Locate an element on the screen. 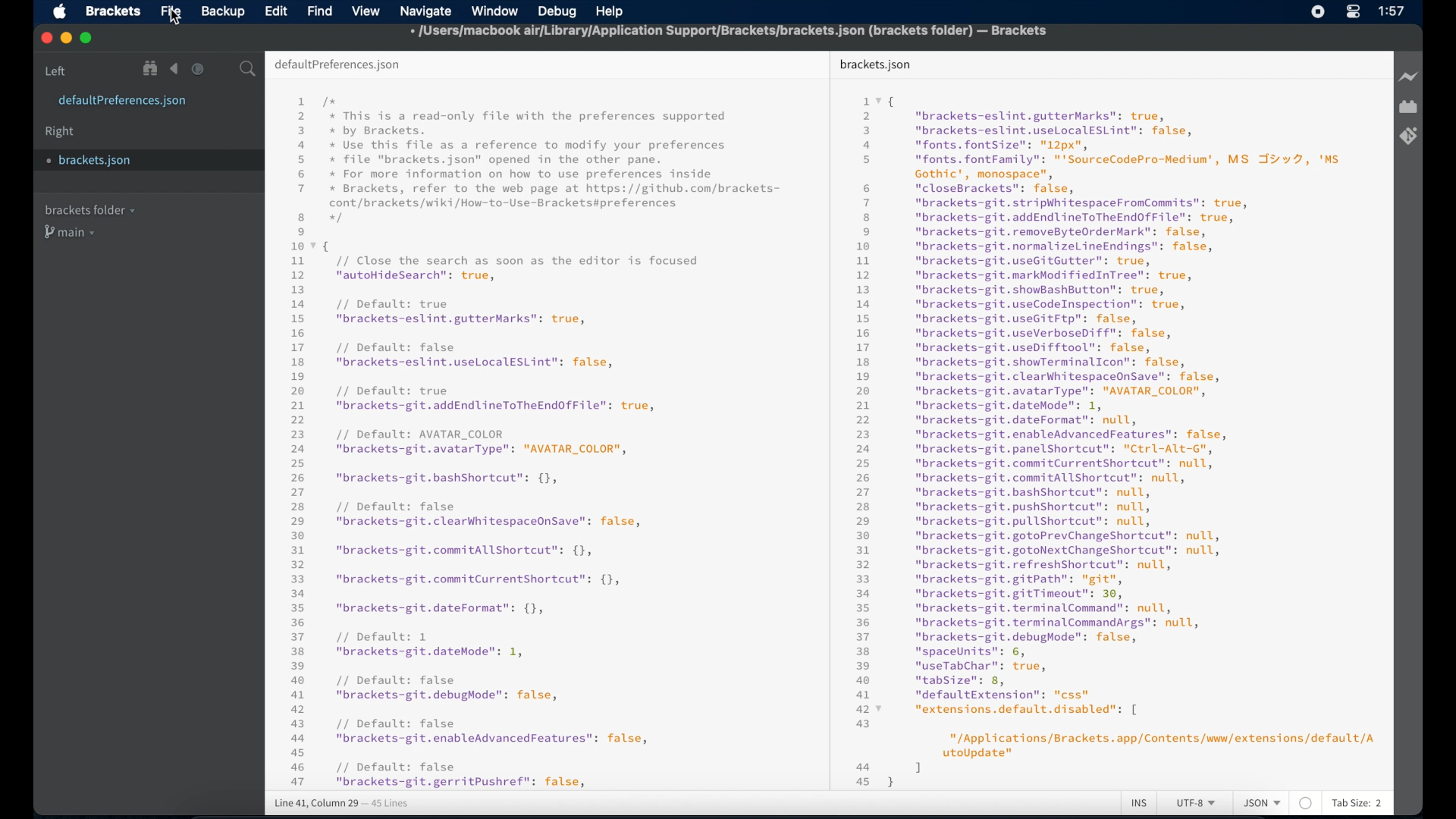  brackets.json is located at coordinates (123, 161).